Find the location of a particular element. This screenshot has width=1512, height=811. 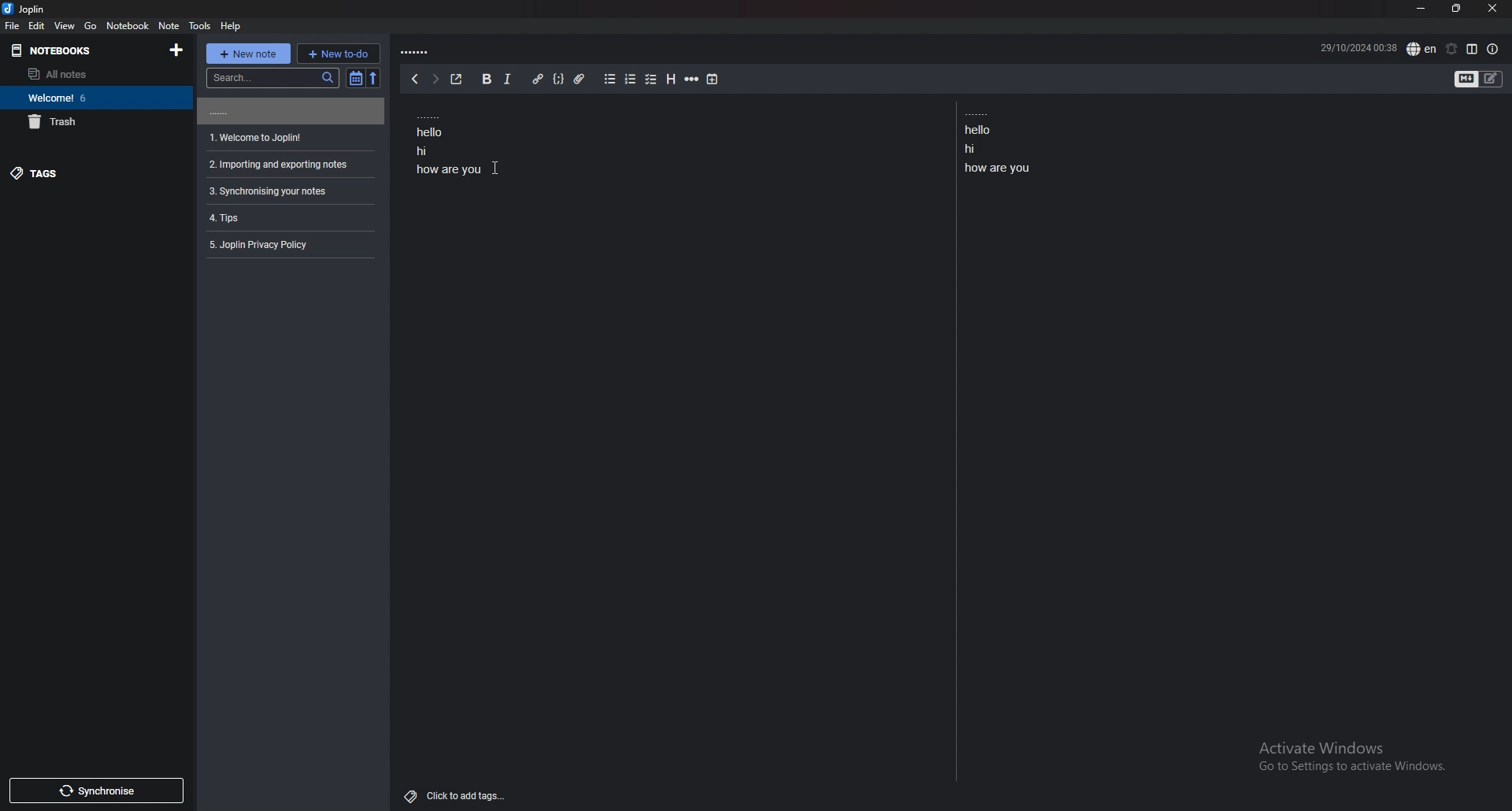

note is located at coordinates (170, 26).